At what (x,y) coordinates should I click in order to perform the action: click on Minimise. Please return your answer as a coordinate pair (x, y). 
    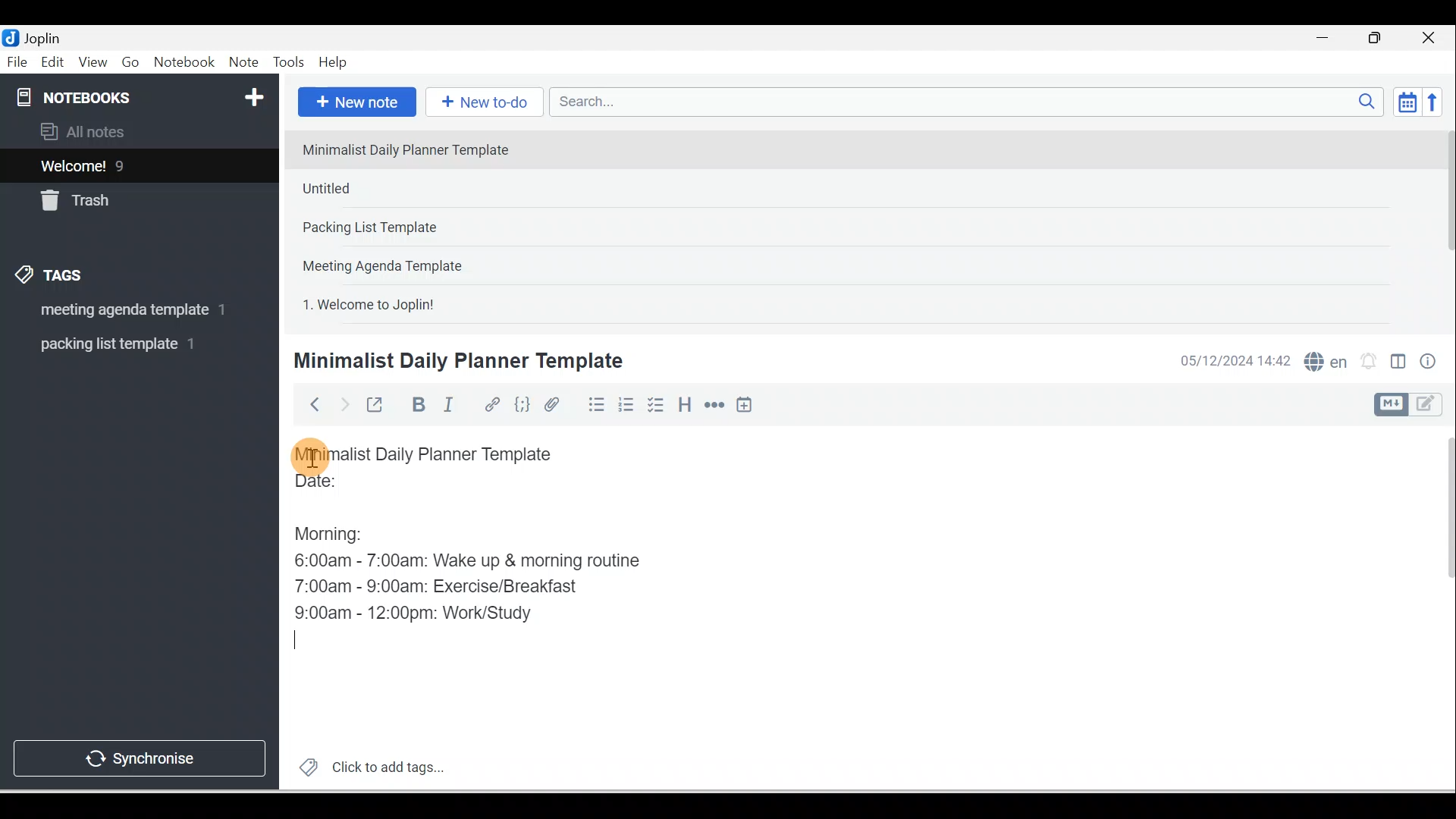
    Looking at the image, I should click on (1327, 39).